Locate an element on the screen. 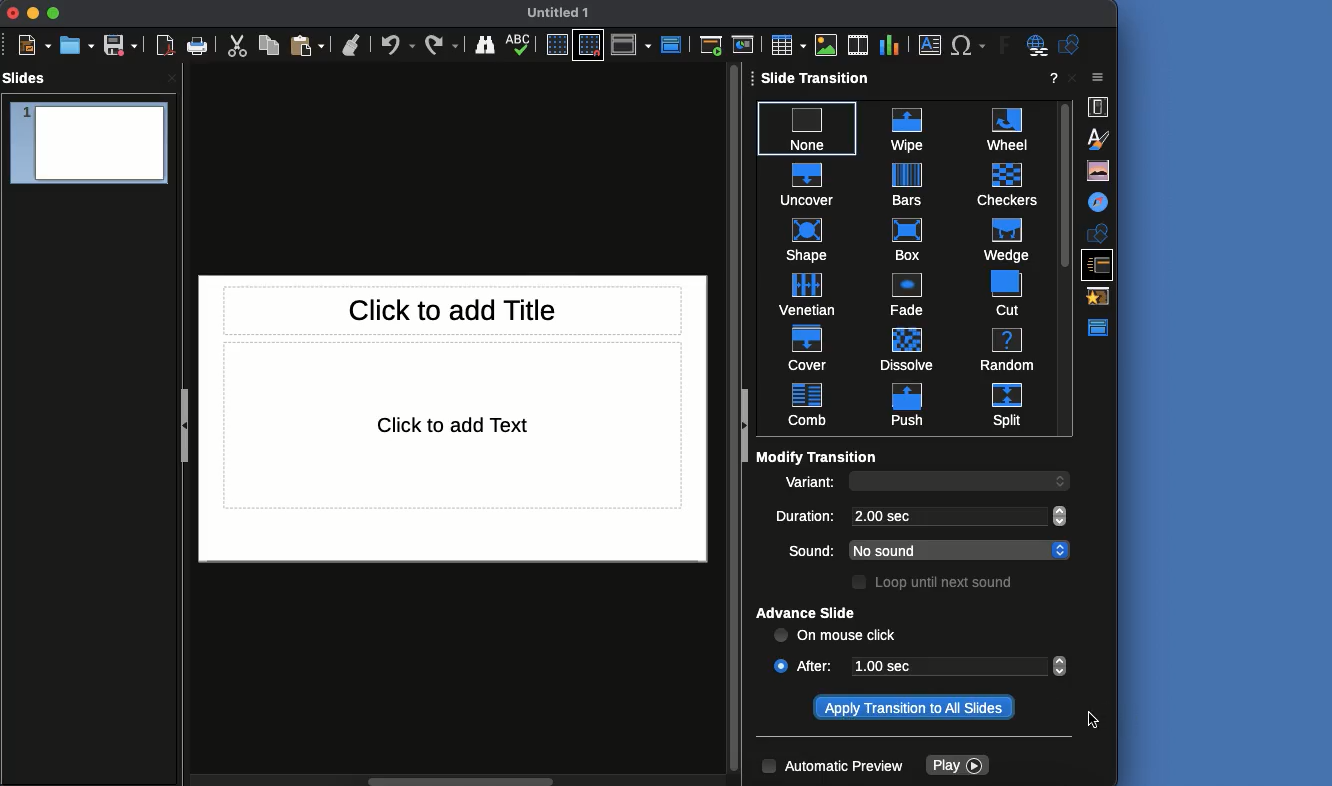 Image resolution: width=1332 pixels, height=786 pixels. shape is located at coordinates (806, 238).